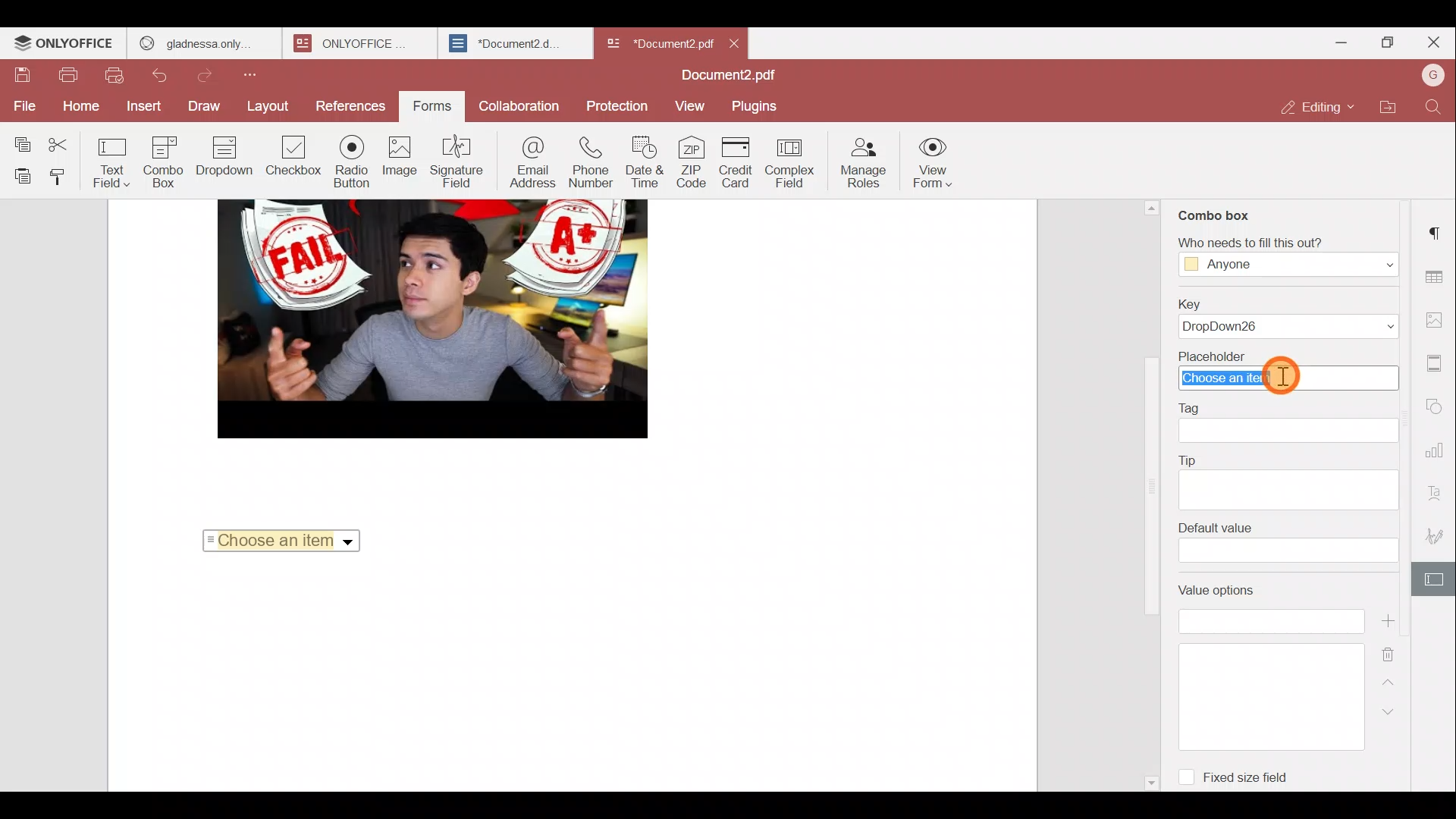 This screenshot has width=1456, height=819. I want to click on Add value, so click(1391, 621).